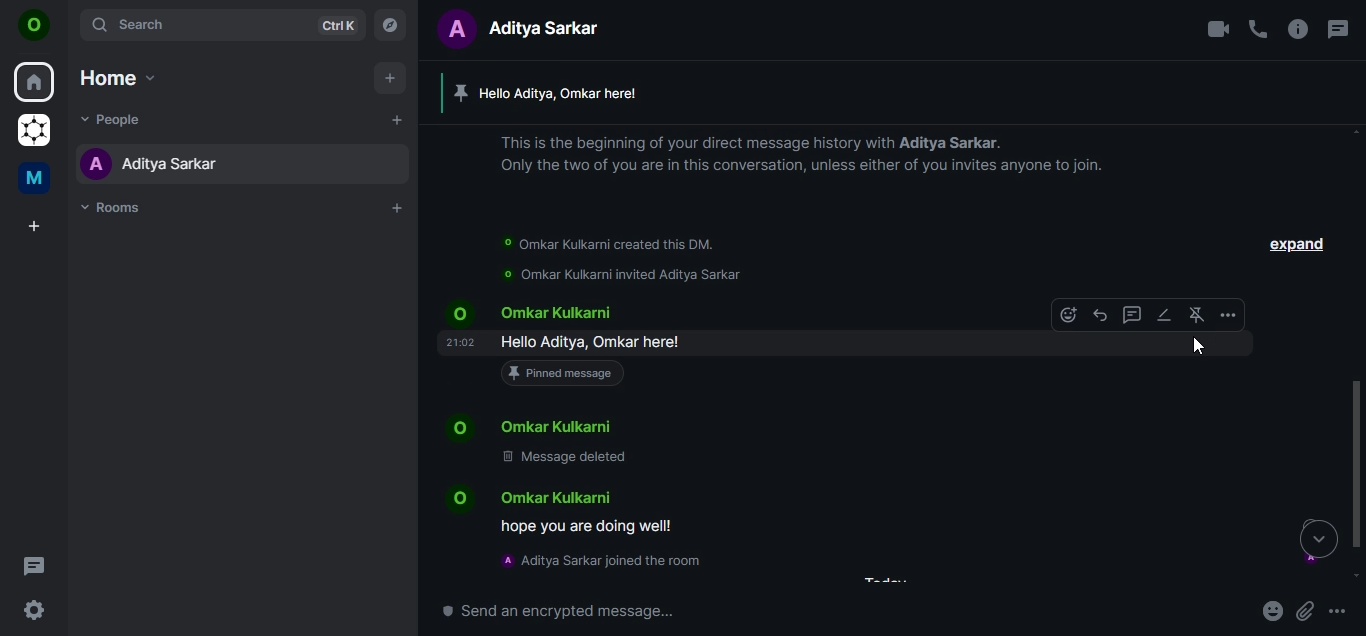  I want to click on emoji, so click(1069, 315).